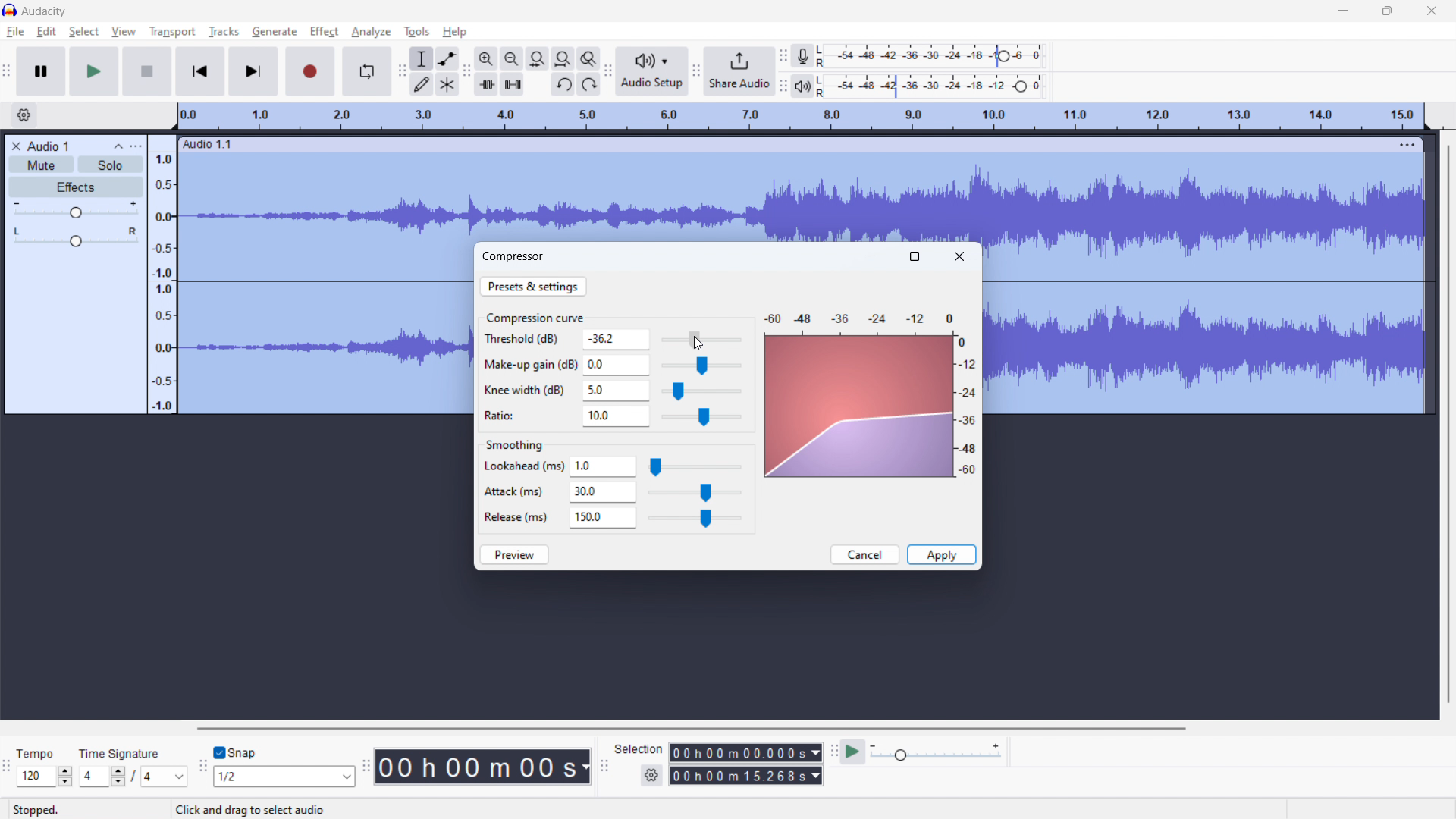  What do you see at coordinates (604, 766) in the screenshot?
I see `selection toolbar` at bounding box center [604, 766].